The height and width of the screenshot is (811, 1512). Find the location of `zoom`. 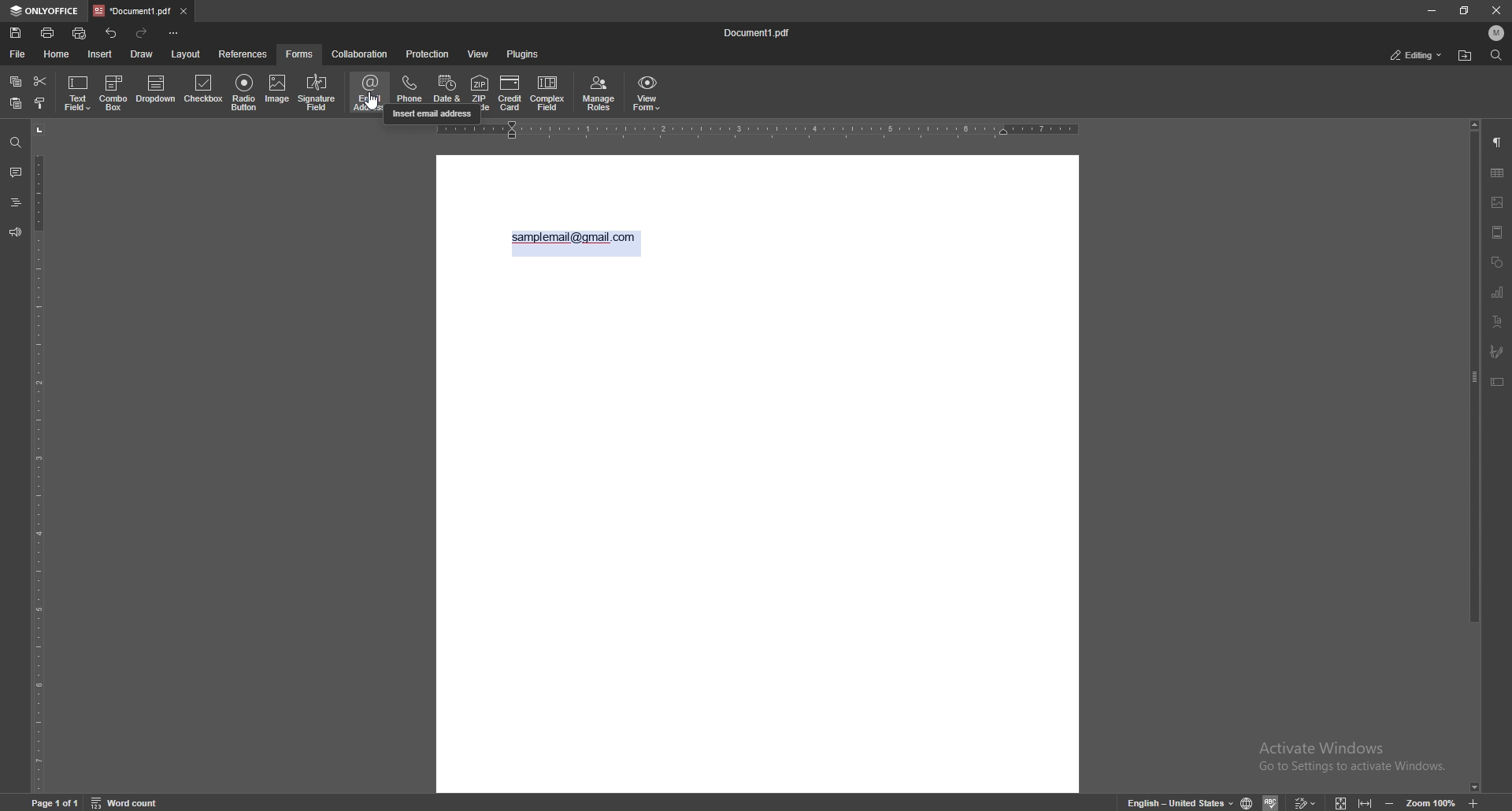

zoom is located at coordinates (1431, 802).